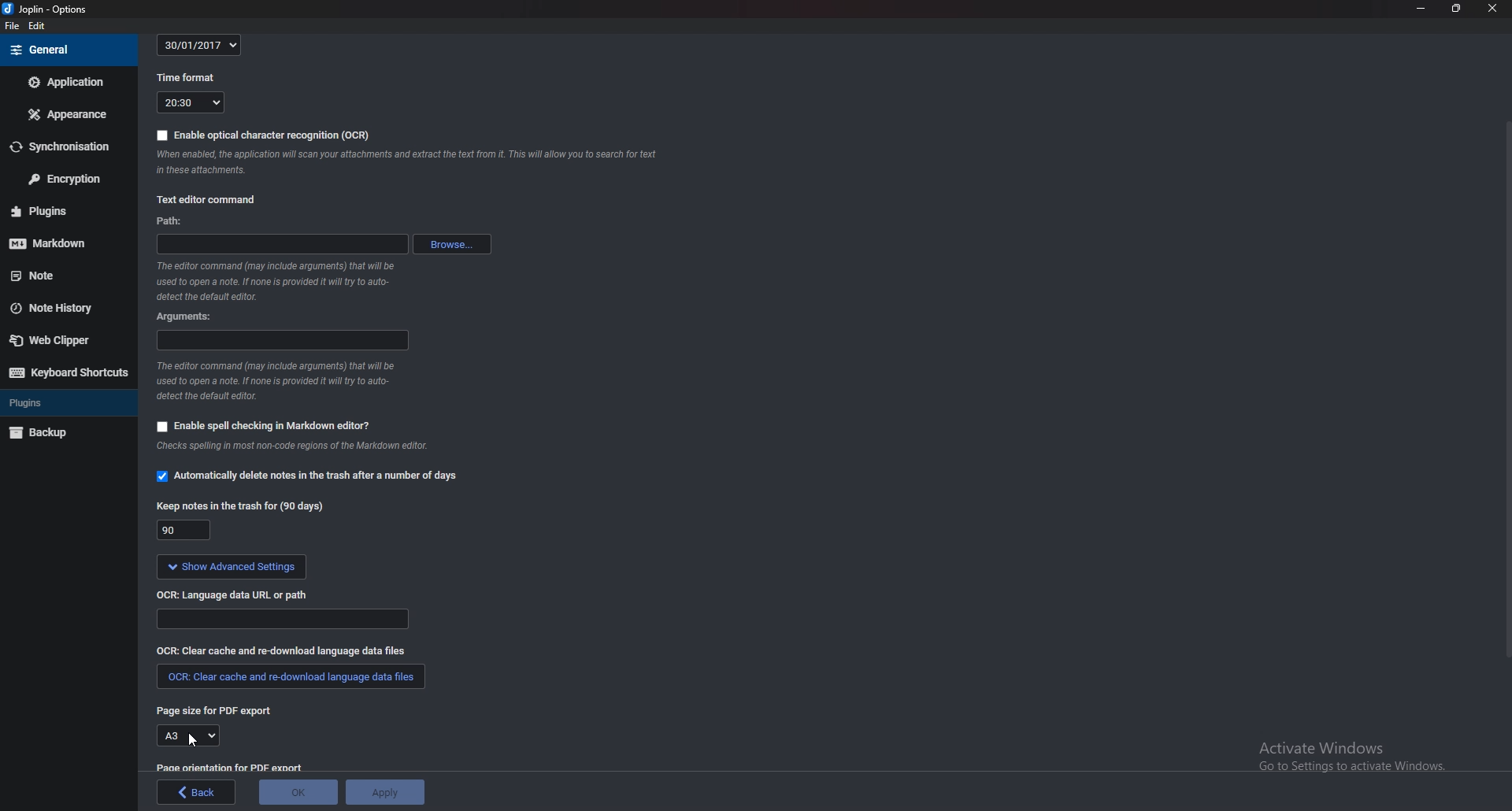  I want to click on Minimize, so click(1421, 9).